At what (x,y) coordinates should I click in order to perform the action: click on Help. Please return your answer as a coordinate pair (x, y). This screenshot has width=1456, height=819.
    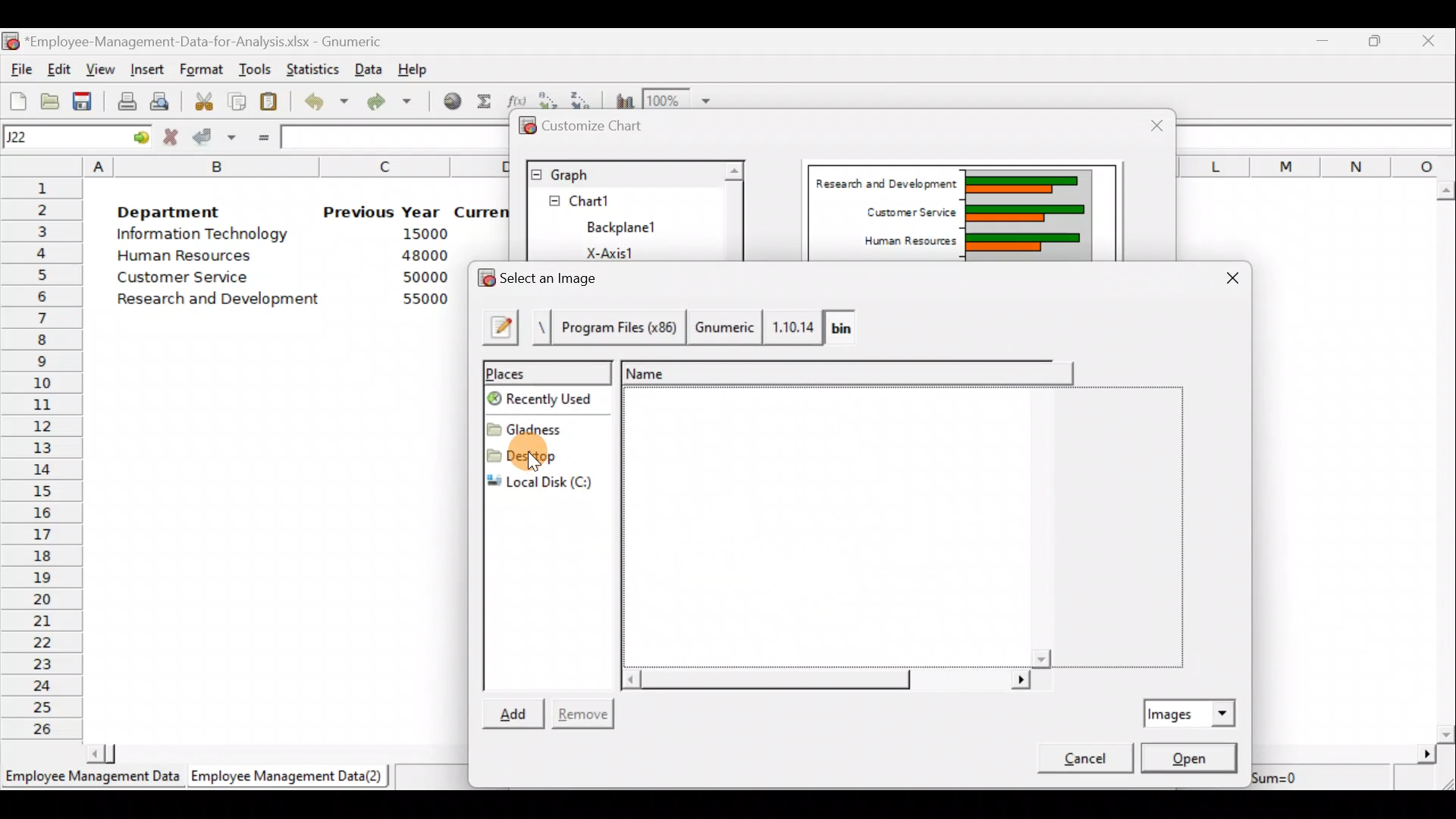
    Looking at the image, I should click on (413, 66).